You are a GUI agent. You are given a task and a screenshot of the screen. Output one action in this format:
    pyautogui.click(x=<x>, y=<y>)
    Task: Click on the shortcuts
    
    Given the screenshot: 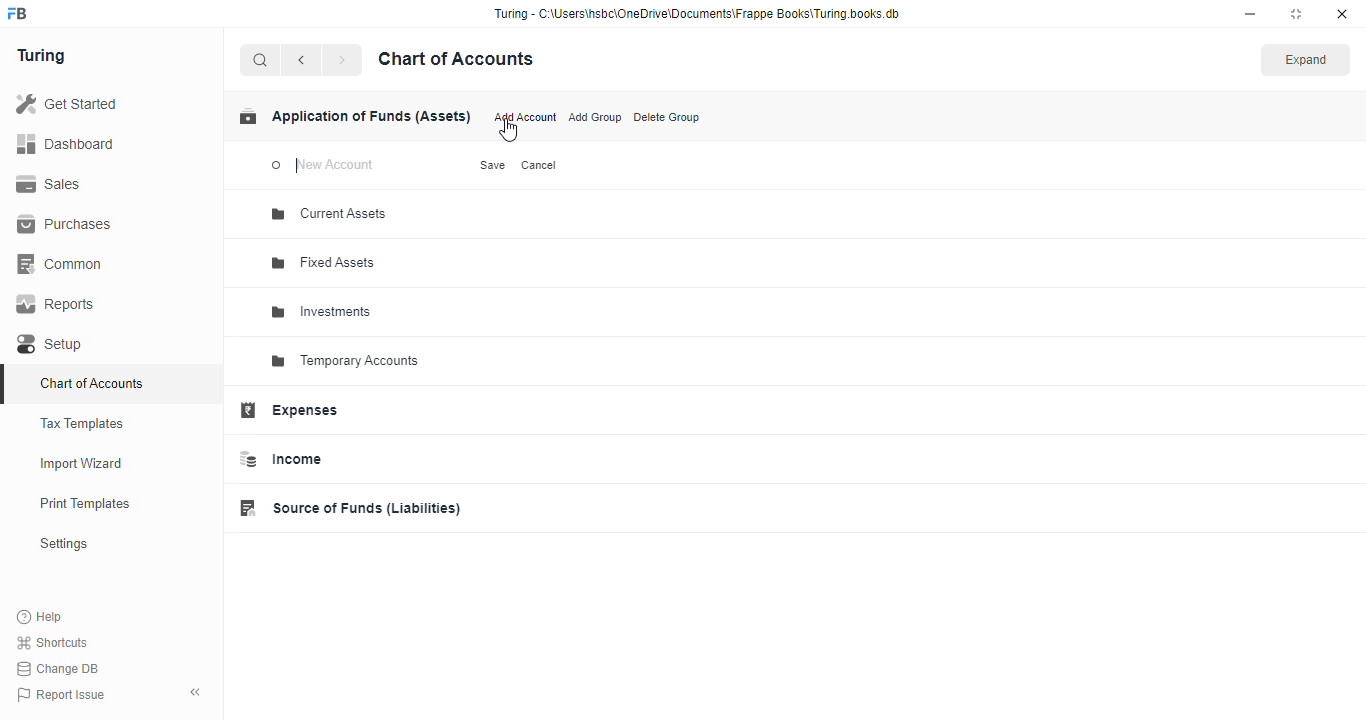 What is the action you would take?
    pyautogui.click(x=53, y=642)
    